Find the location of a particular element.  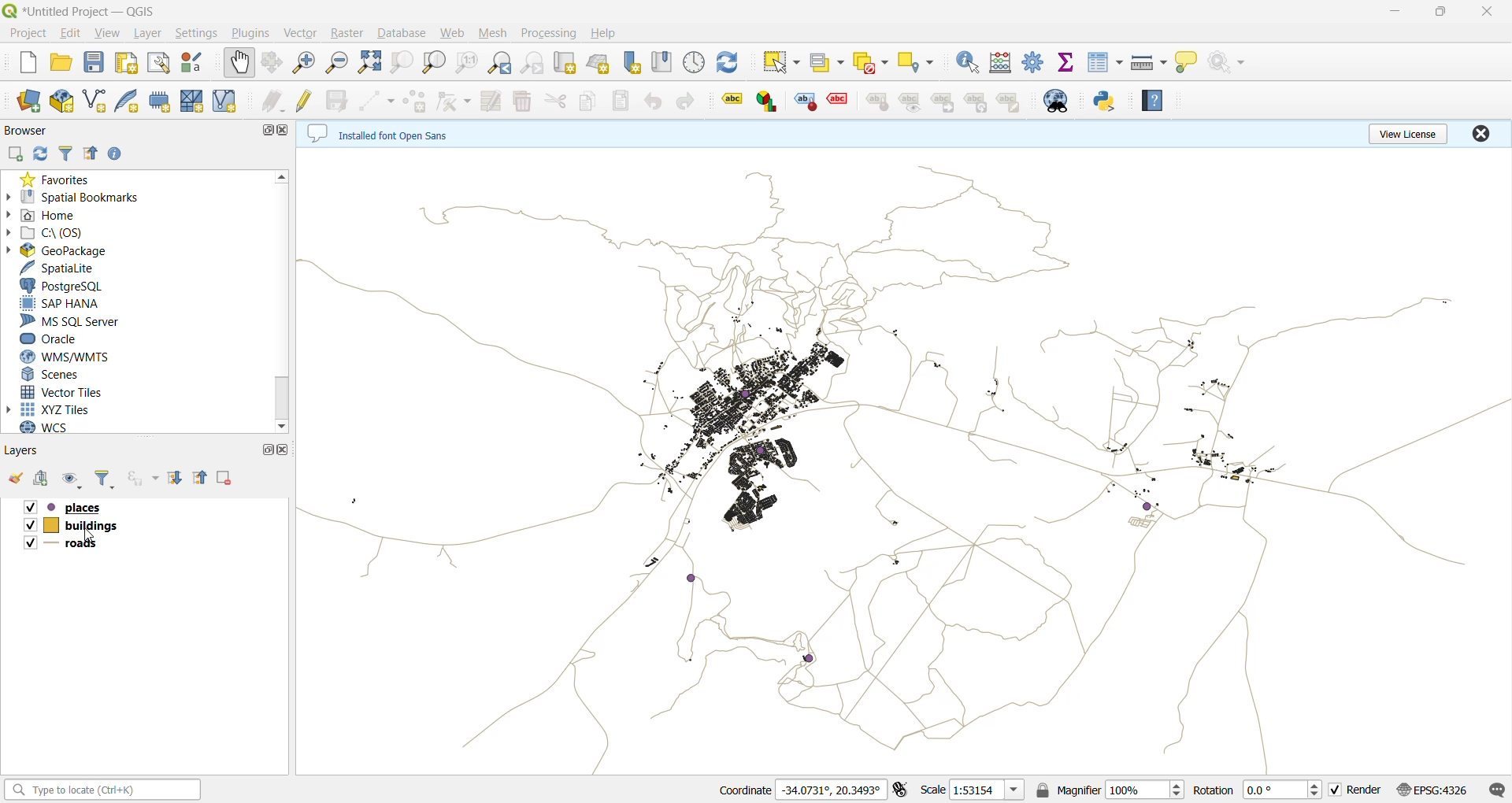

status bar is located at coordinates (102, 790).